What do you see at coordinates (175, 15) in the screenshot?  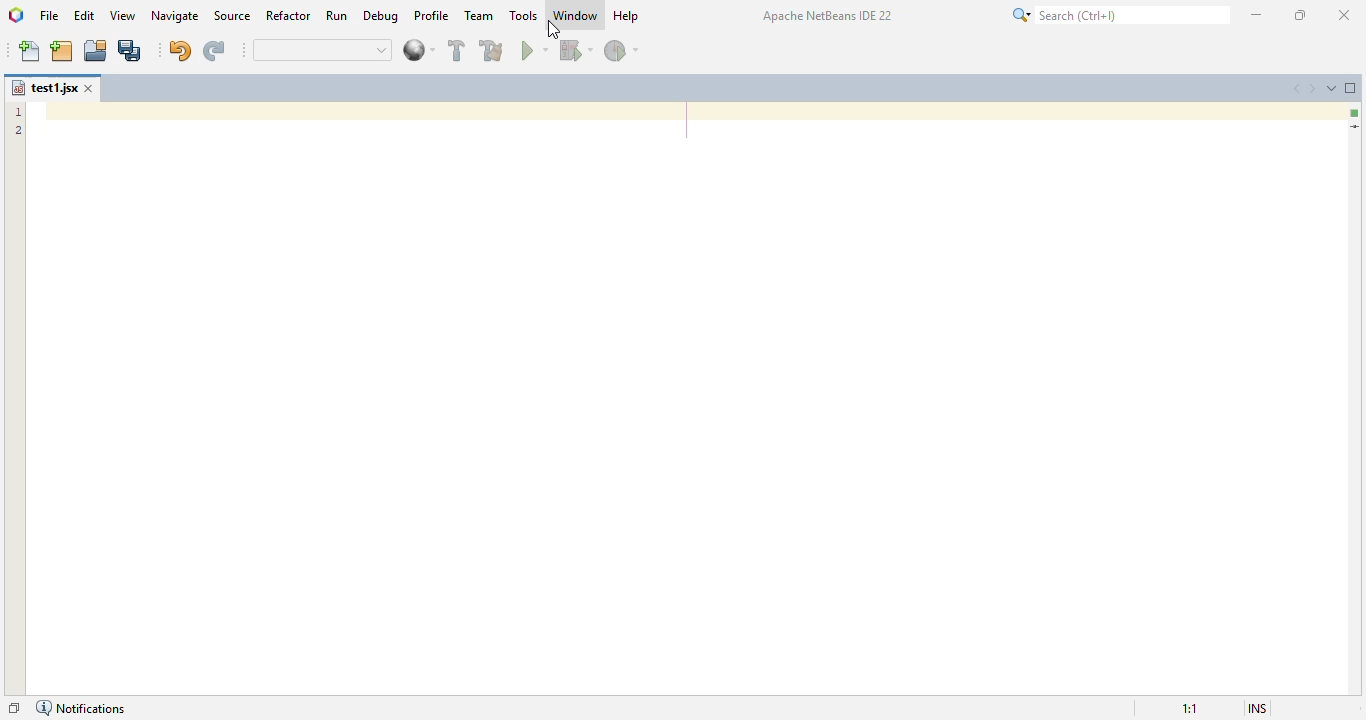 I see `navigate` at bounding box center [175, 15].